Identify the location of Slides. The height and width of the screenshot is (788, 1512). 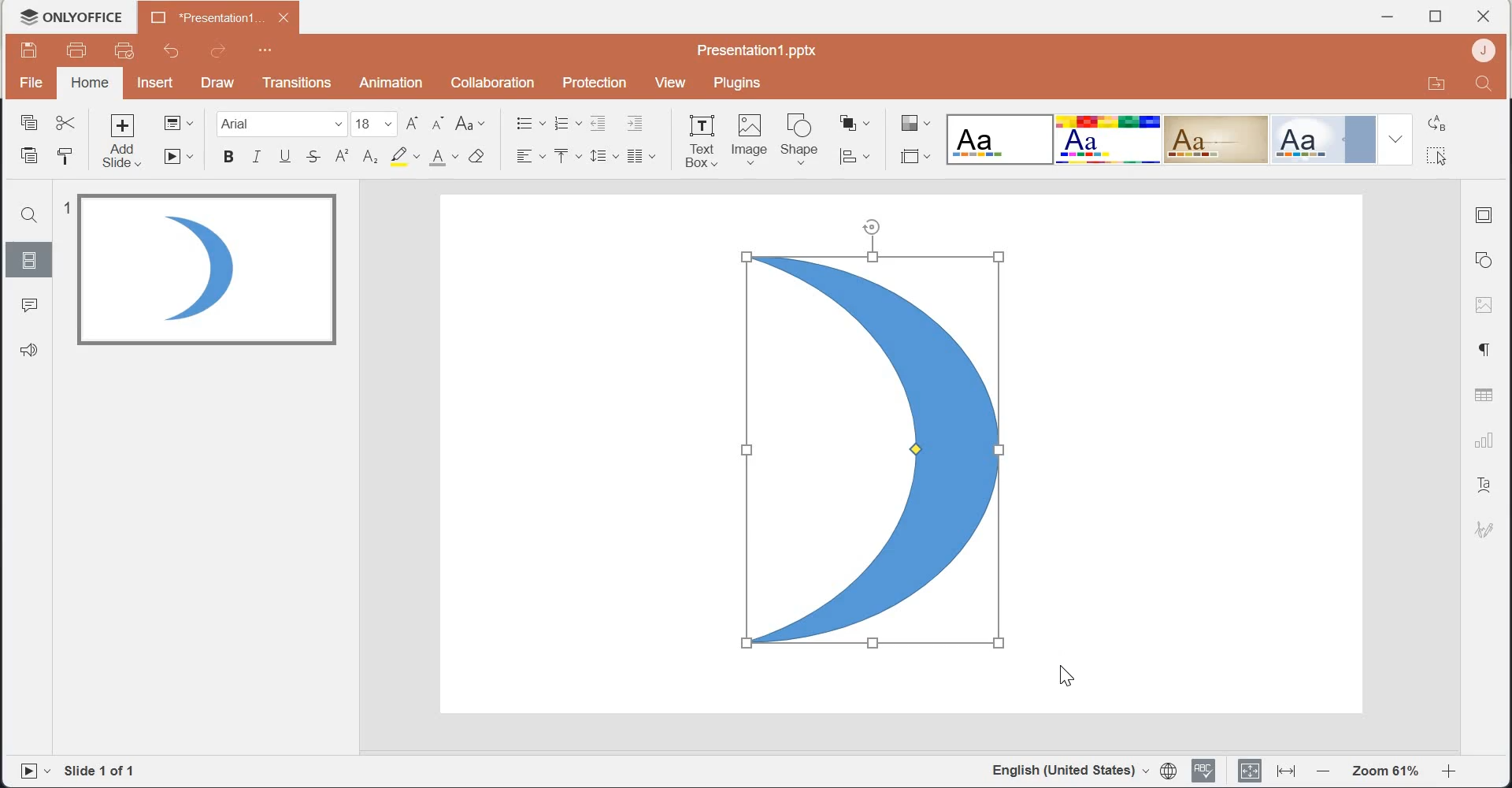
(28, 258).